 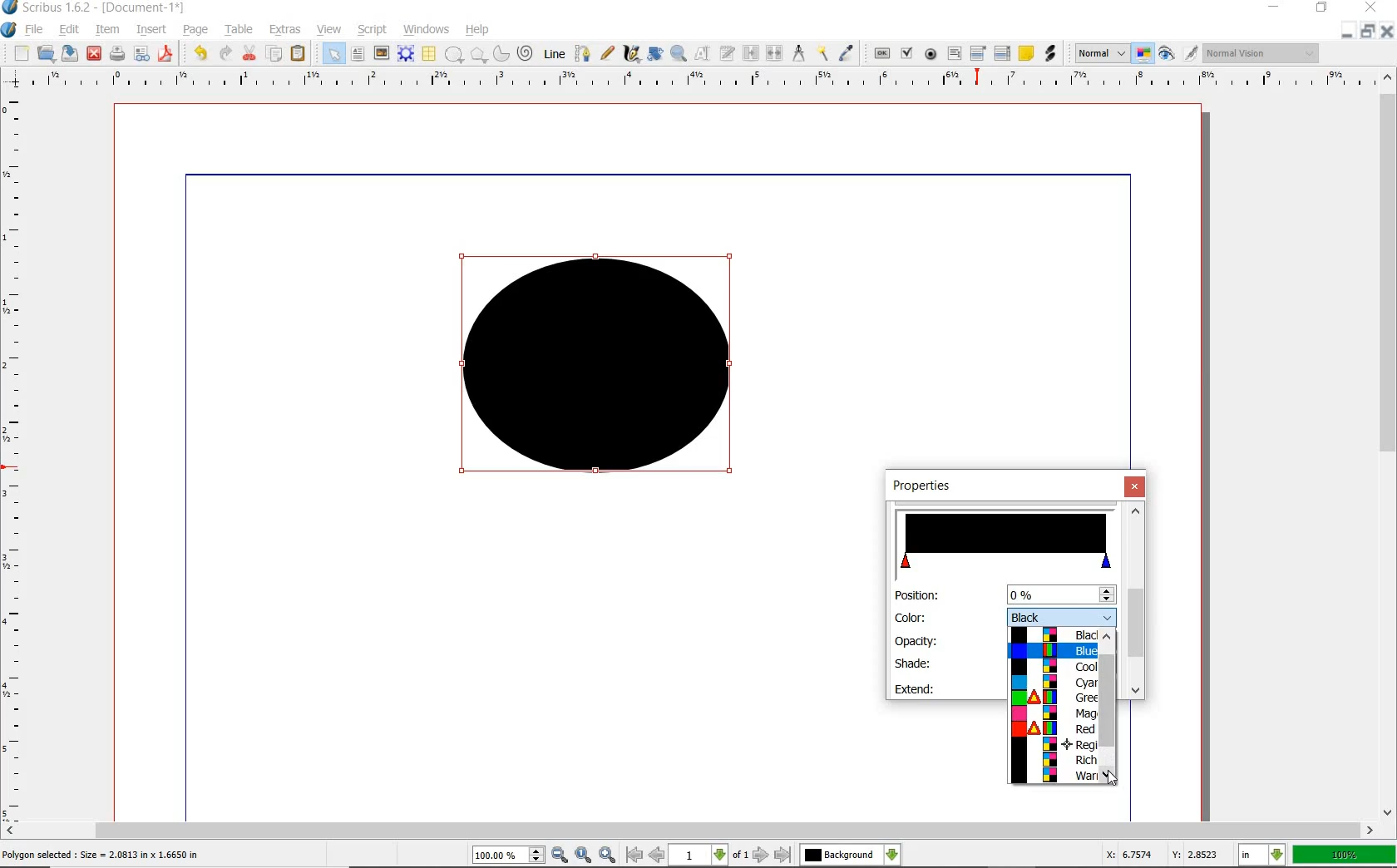 I want to click on SCRIPT, so click(x=370, y=28).